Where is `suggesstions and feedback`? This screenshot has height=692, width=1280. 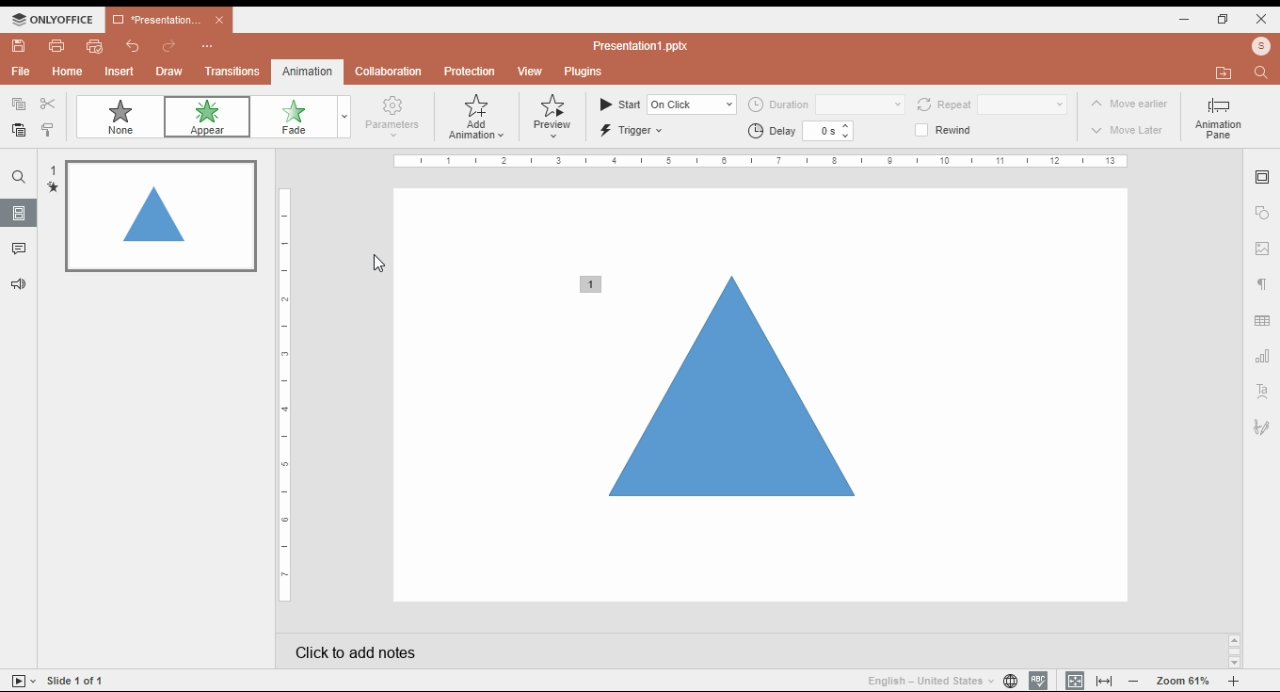
suggesstions and feedback is located at coordinates (20, 285).